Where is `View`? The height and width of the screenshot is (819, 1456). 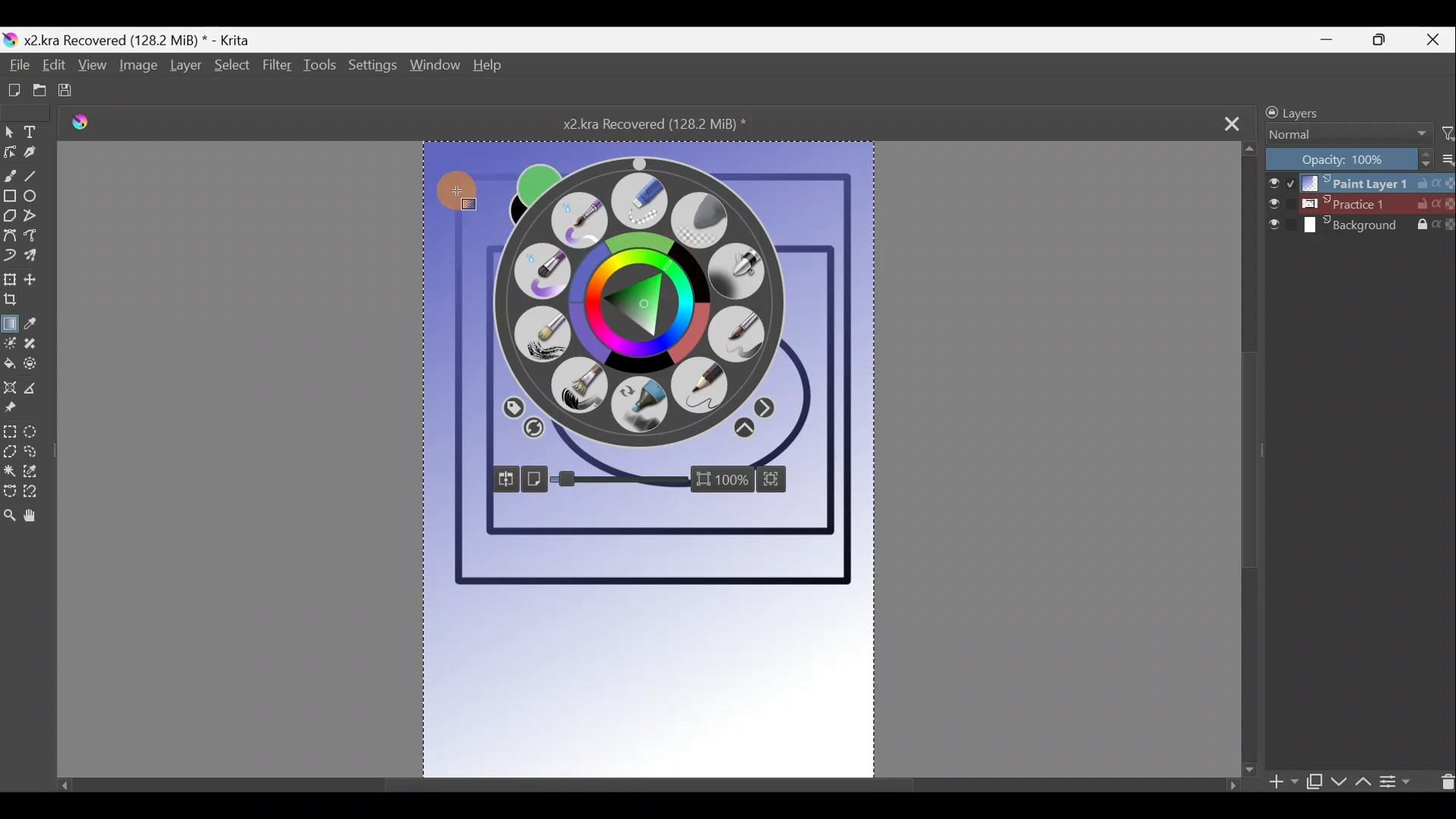
View is located at coordinates (93, 69).